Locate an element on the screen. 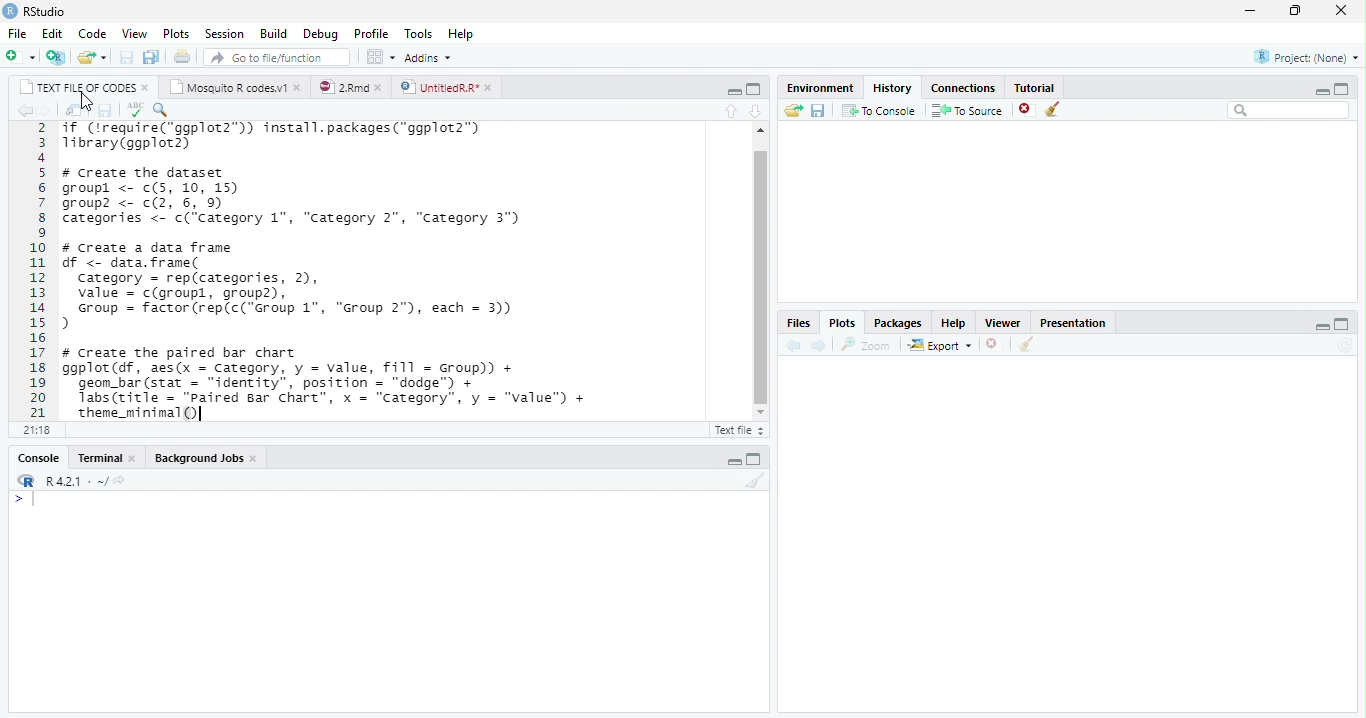 The height and width of the screenshot is (718, 1366). workspace panes is located at coordinates (378, 58).